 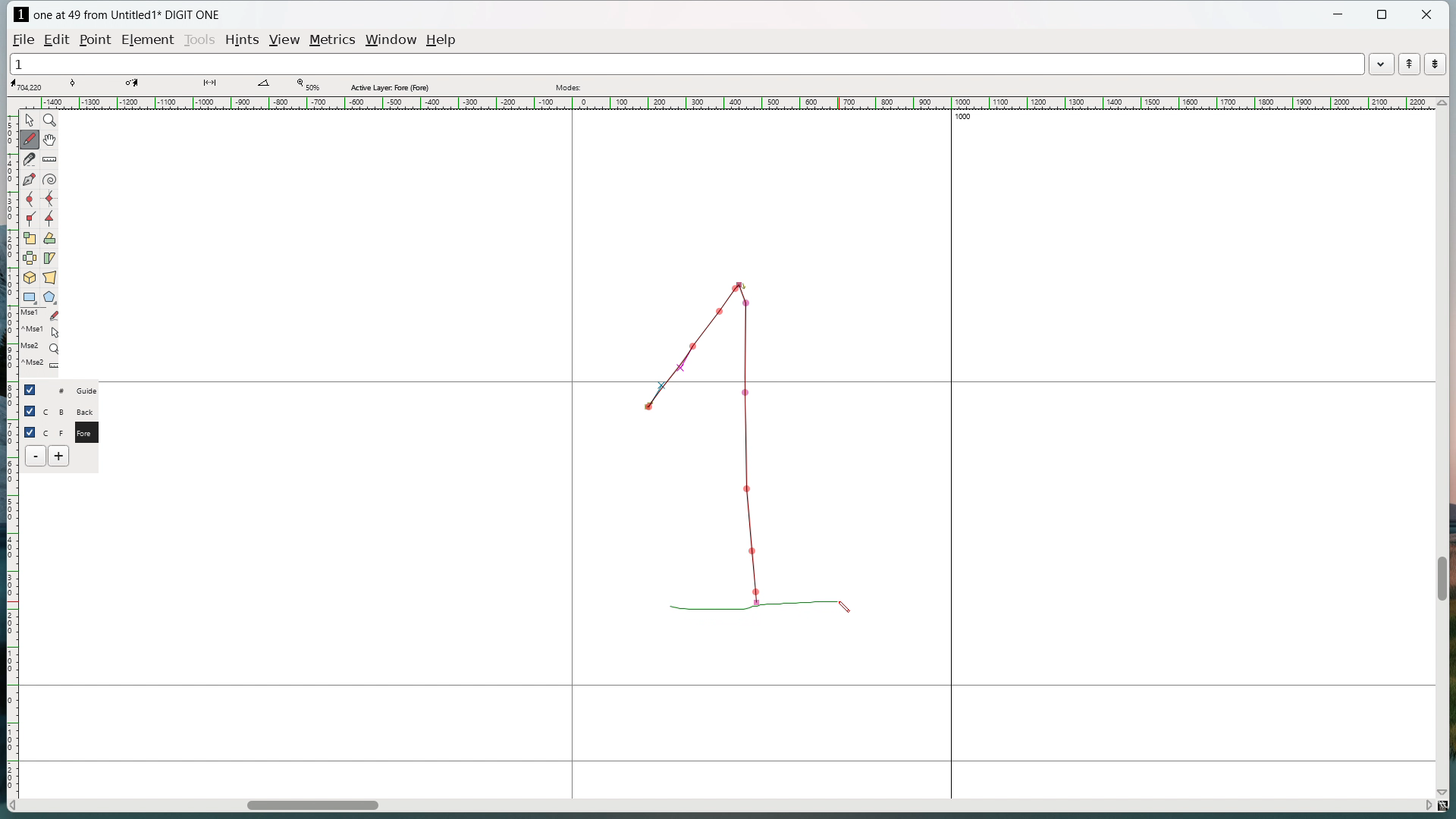 What do you see at coordinates (199, 41) in the screenshot?
I see `tools` at bounding box center [199, 41].